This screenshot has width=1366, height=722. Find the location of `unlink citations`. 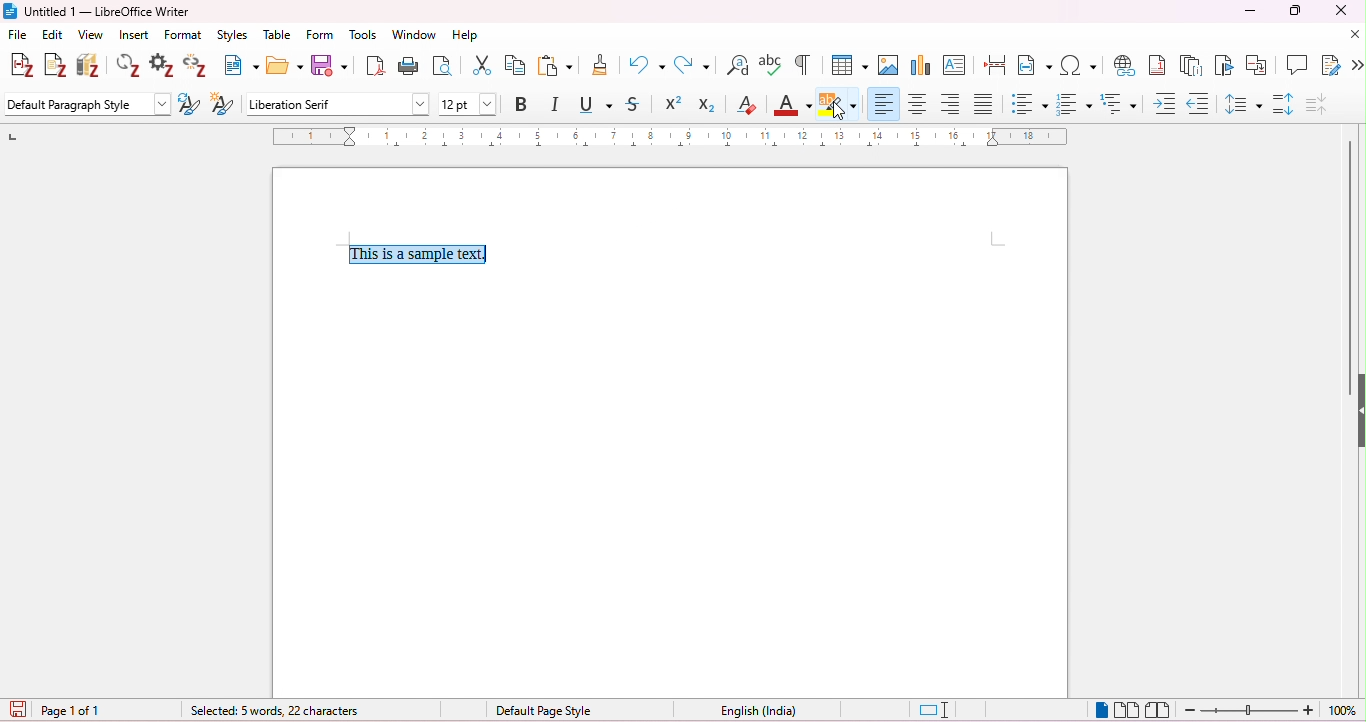

unlink citations is located at coordinates (196, 67).